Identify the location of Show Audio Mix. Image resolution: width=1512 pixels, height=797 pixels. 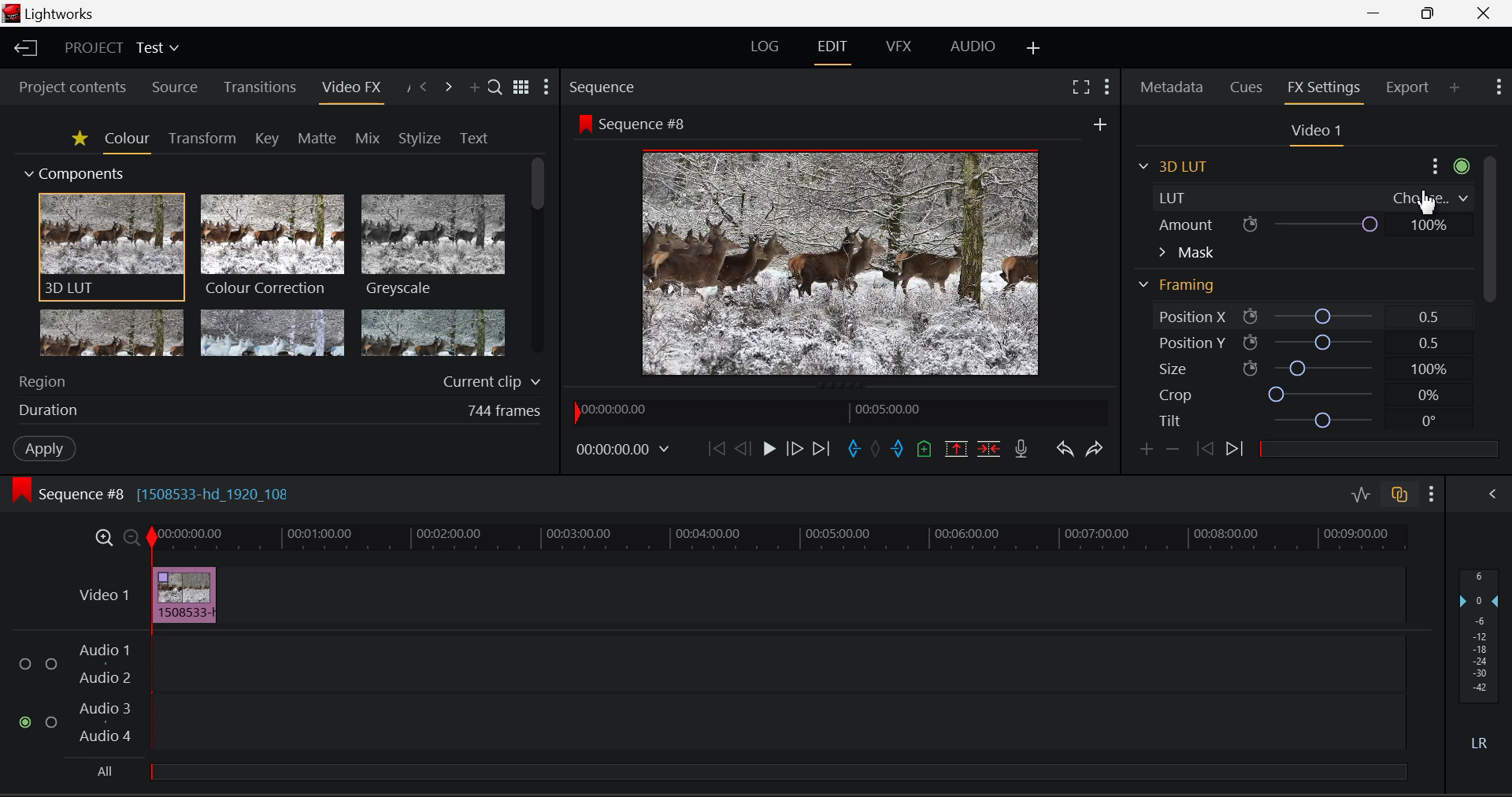
(1488, 492).